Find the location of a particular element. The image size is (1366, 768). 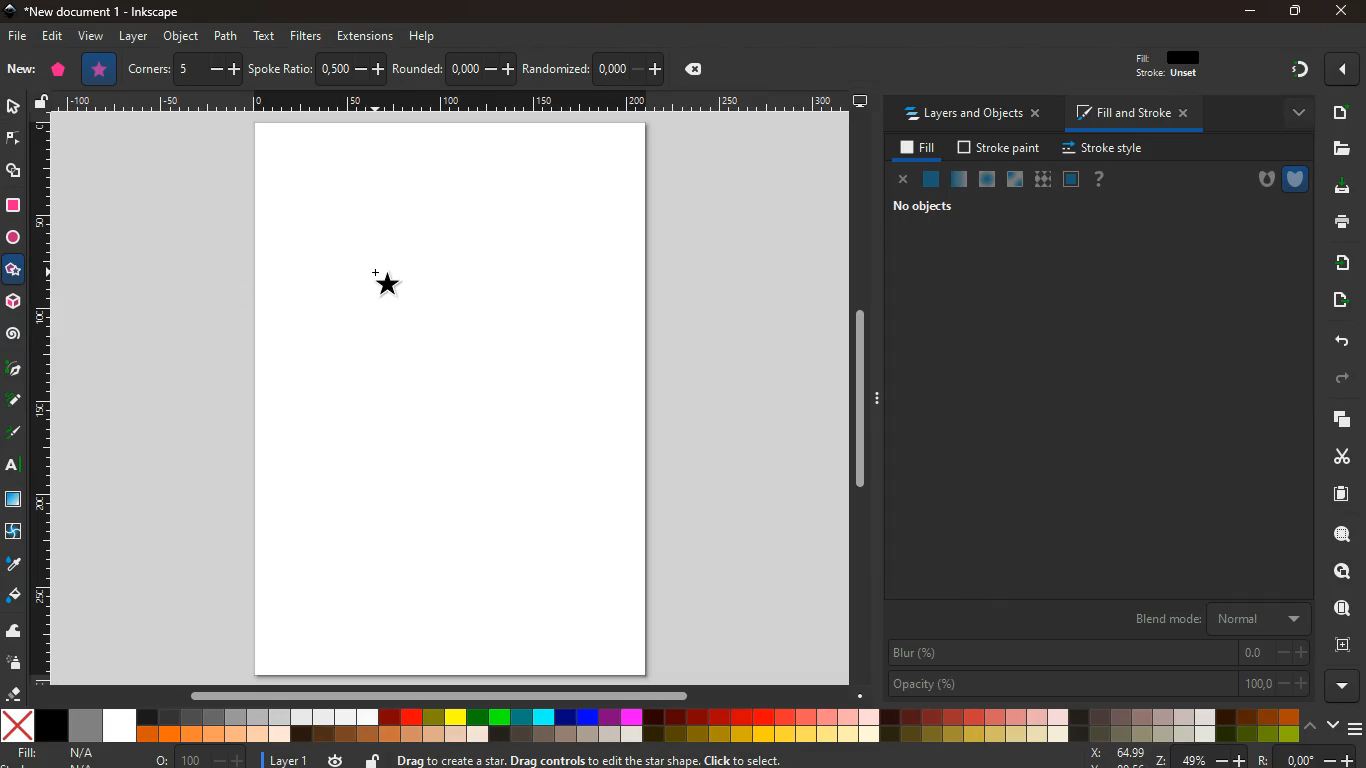

Draw scale is located at coordinates (50, 404).